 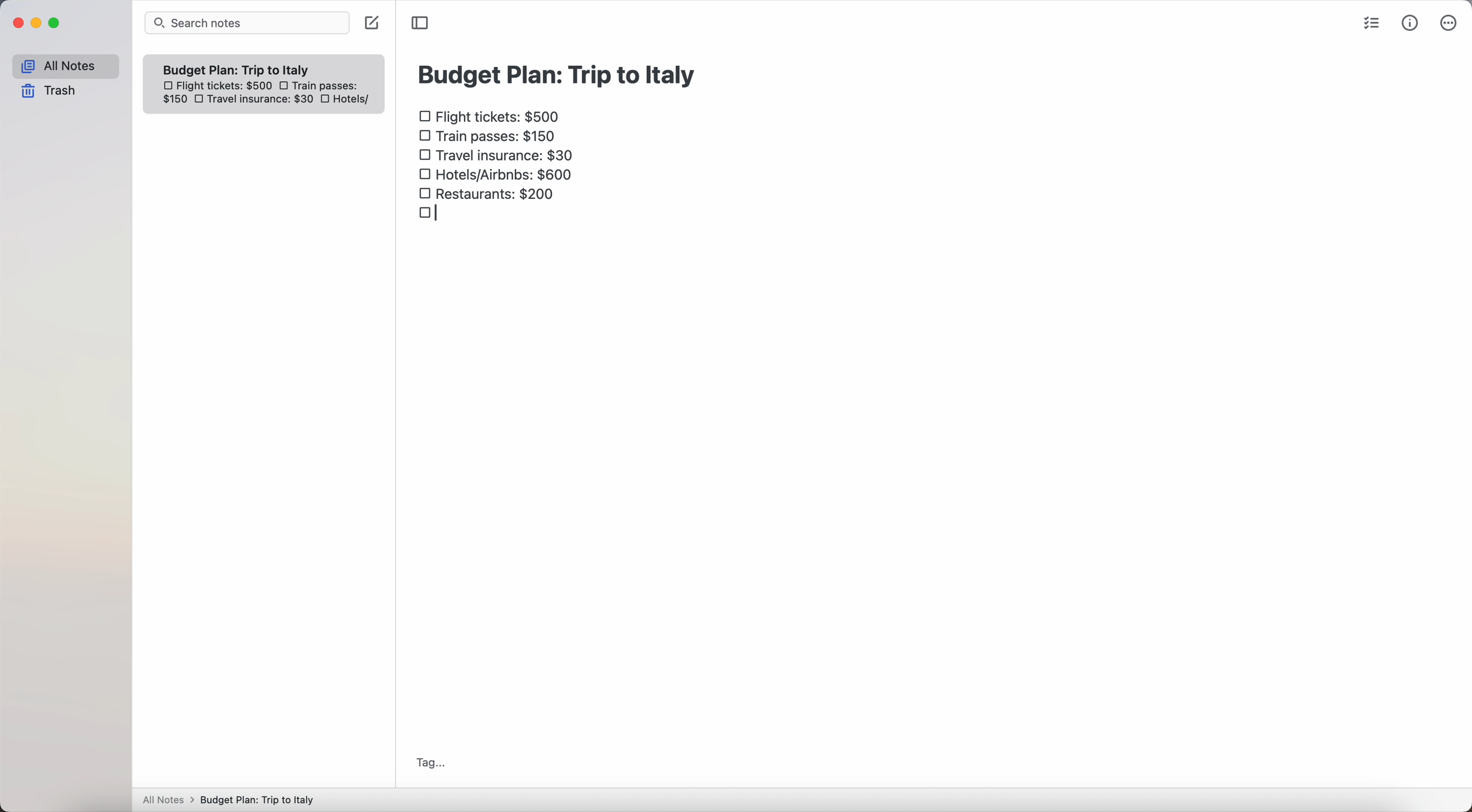 I want to click on trash, so click(x=49, y=91).